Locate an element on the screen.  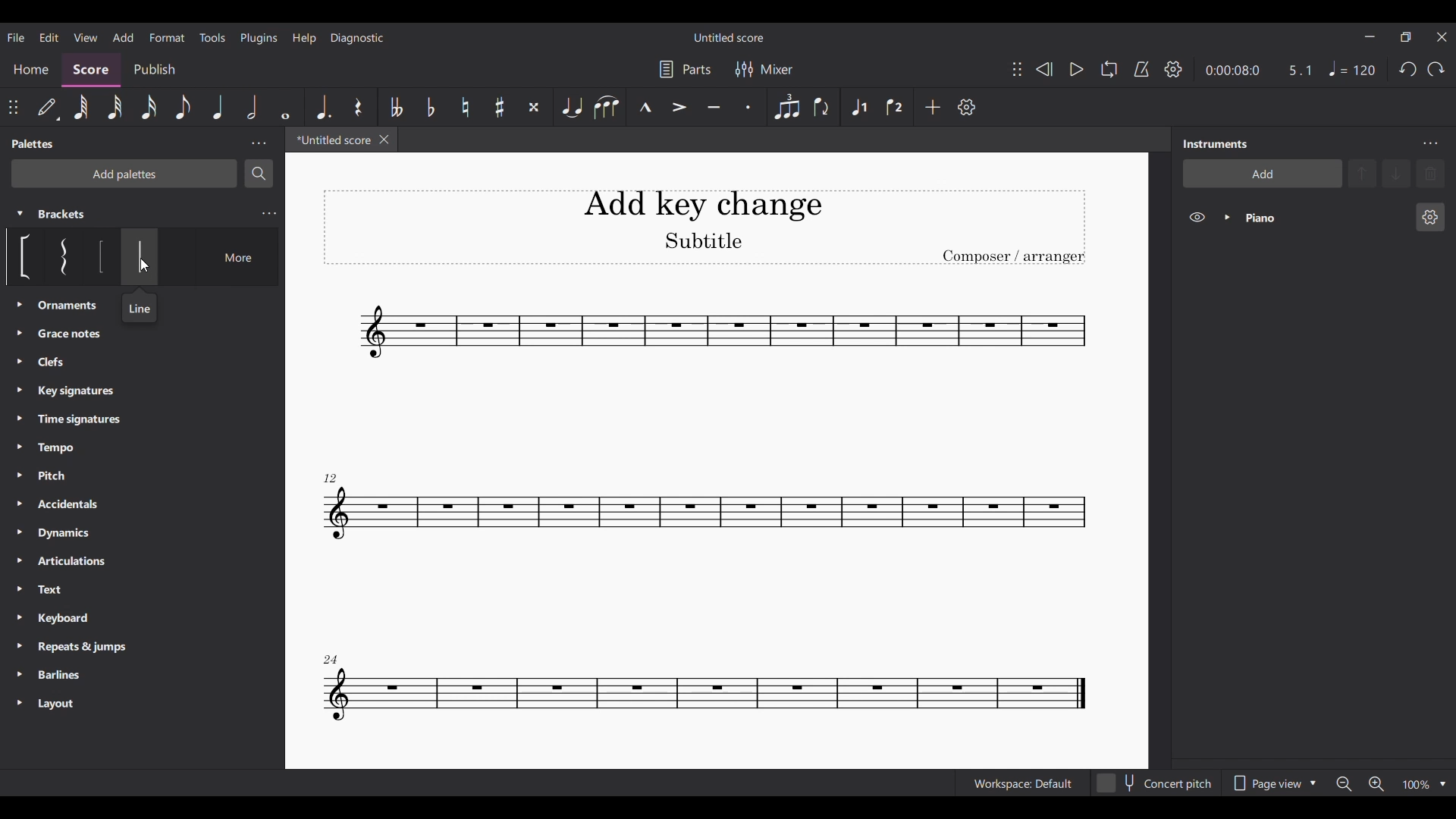
Show/Hide instrument is located at coordinates (1197, 217).